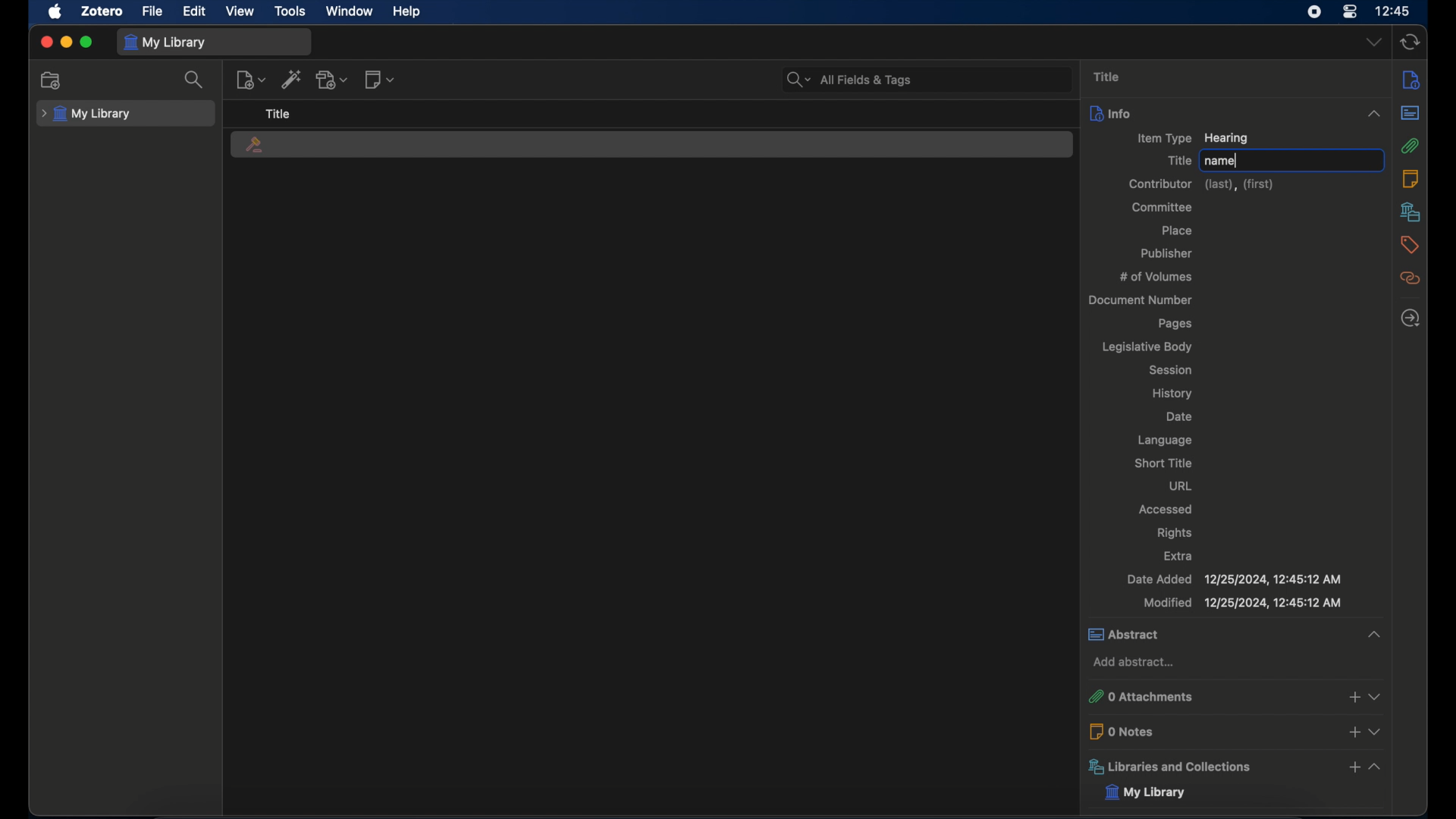 This screenshot has width=1456, height=819. I want to click on add abstract, so click(1134, 663).